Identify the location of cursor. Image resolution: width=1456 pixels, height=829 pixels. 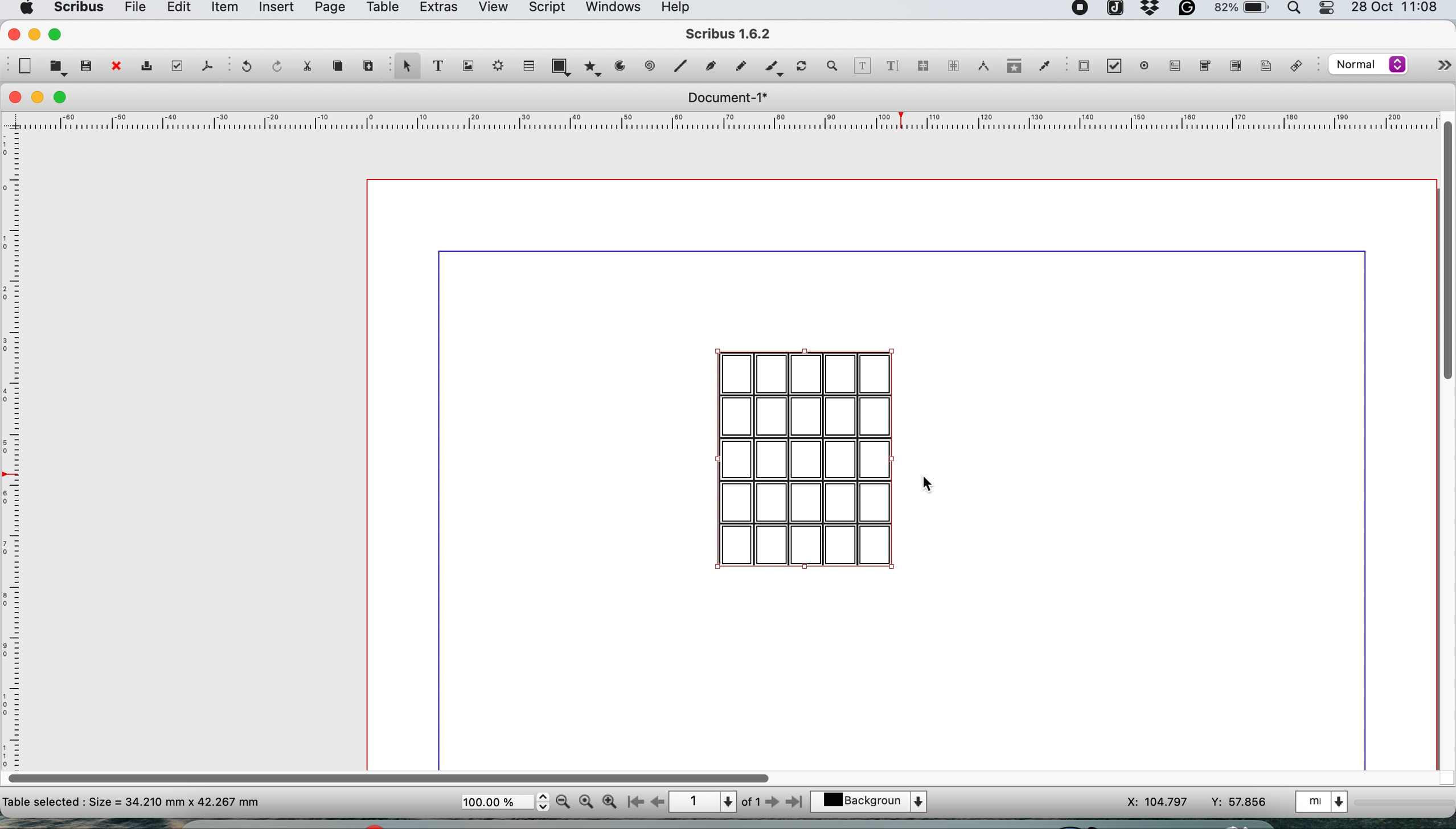
(929, 486).